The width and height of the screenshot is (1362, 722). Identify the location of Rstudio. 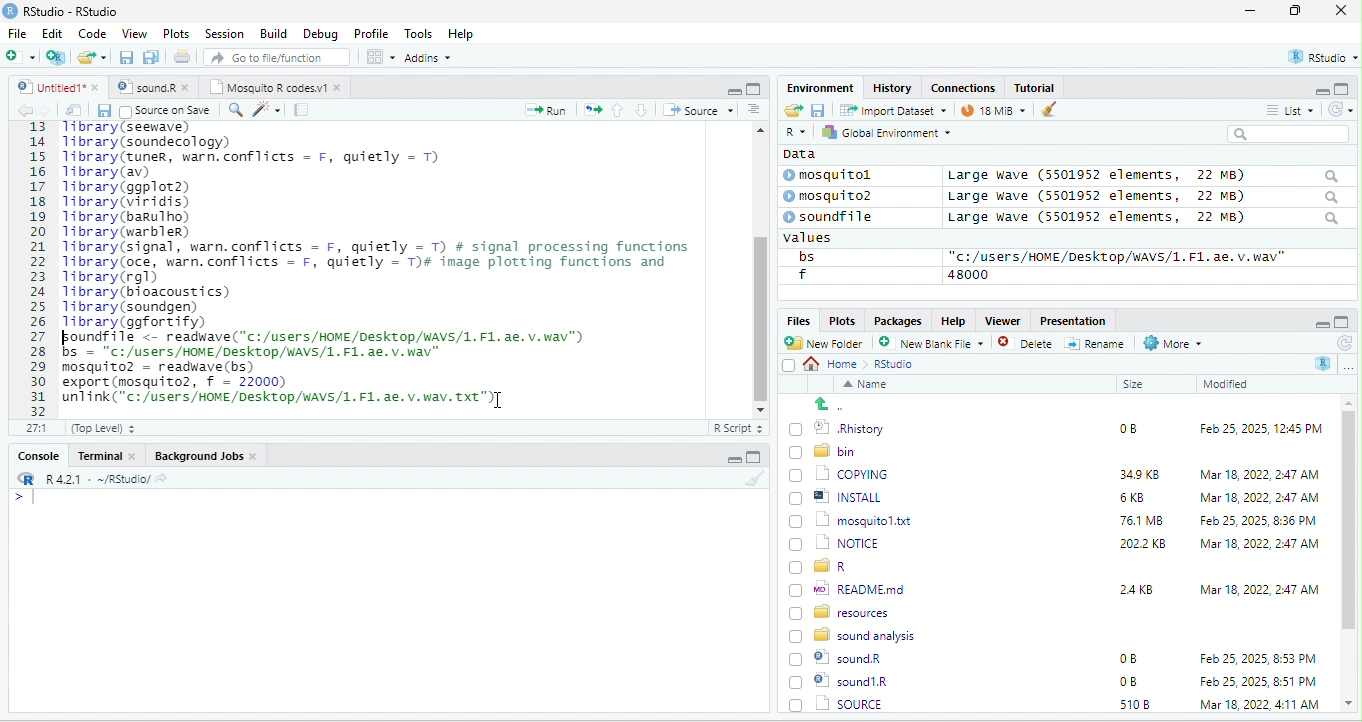
(895, 364).